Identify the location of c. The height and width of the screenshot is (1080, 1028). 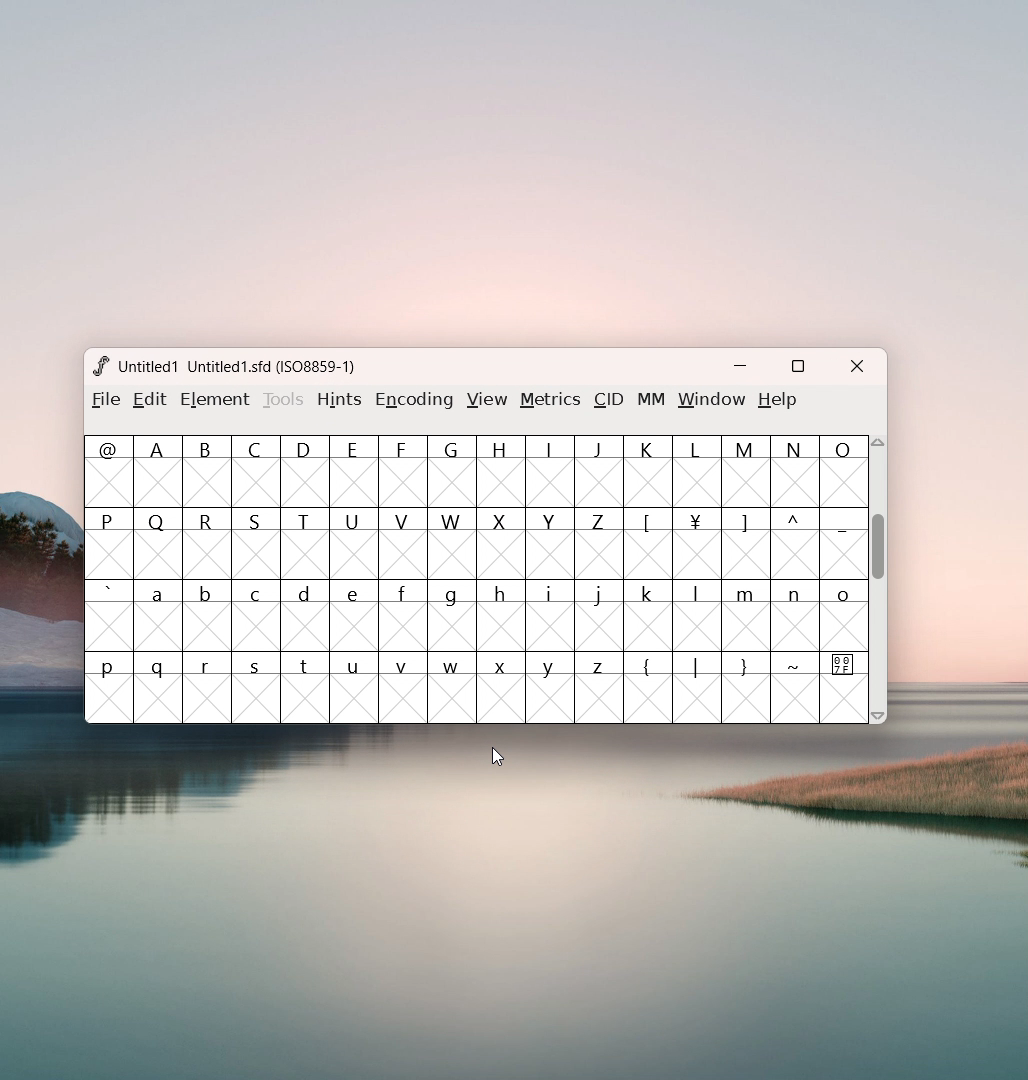
(257, 616).